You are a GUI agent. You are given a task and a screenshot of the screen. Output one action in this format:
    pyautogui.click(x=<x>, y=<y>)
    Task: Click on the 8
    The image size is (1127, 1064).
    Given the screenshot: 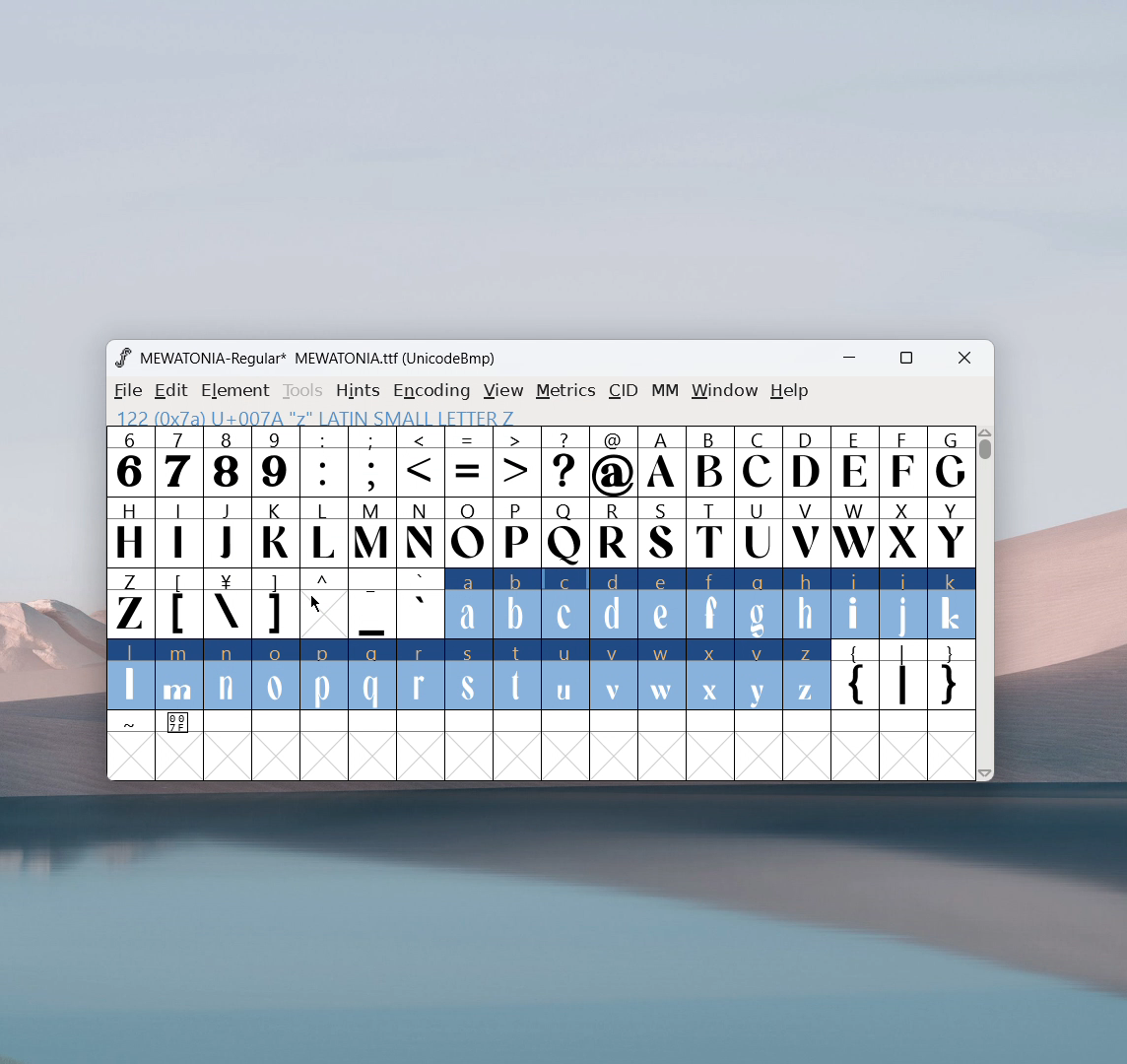 What is the action you would take?
    pyautogui.click(x=227, y=461)
    